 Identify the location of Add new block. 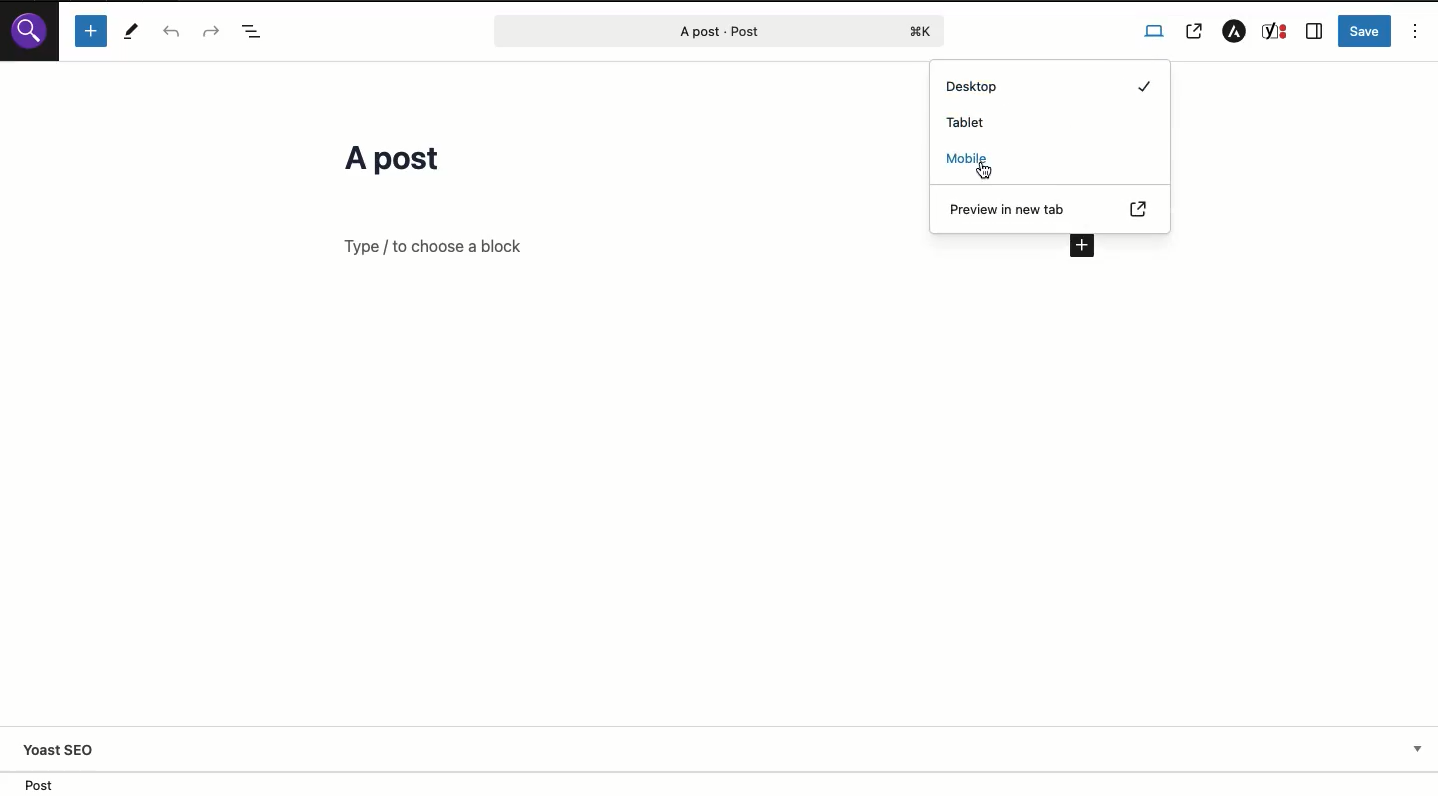
(93, 32).